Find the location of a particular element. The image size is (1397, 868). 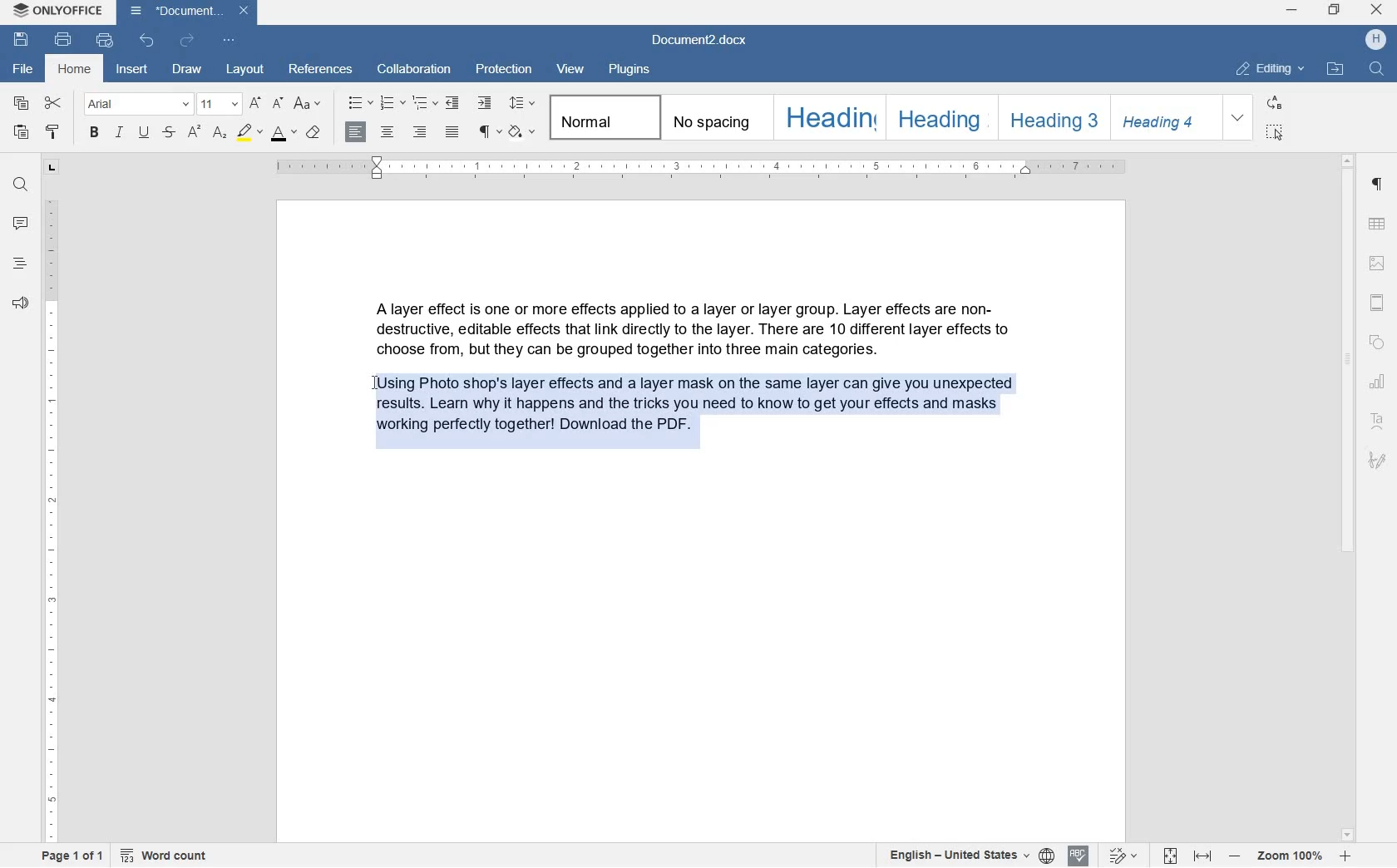

CLEAR STYLE is located at coordinates (317, 133).